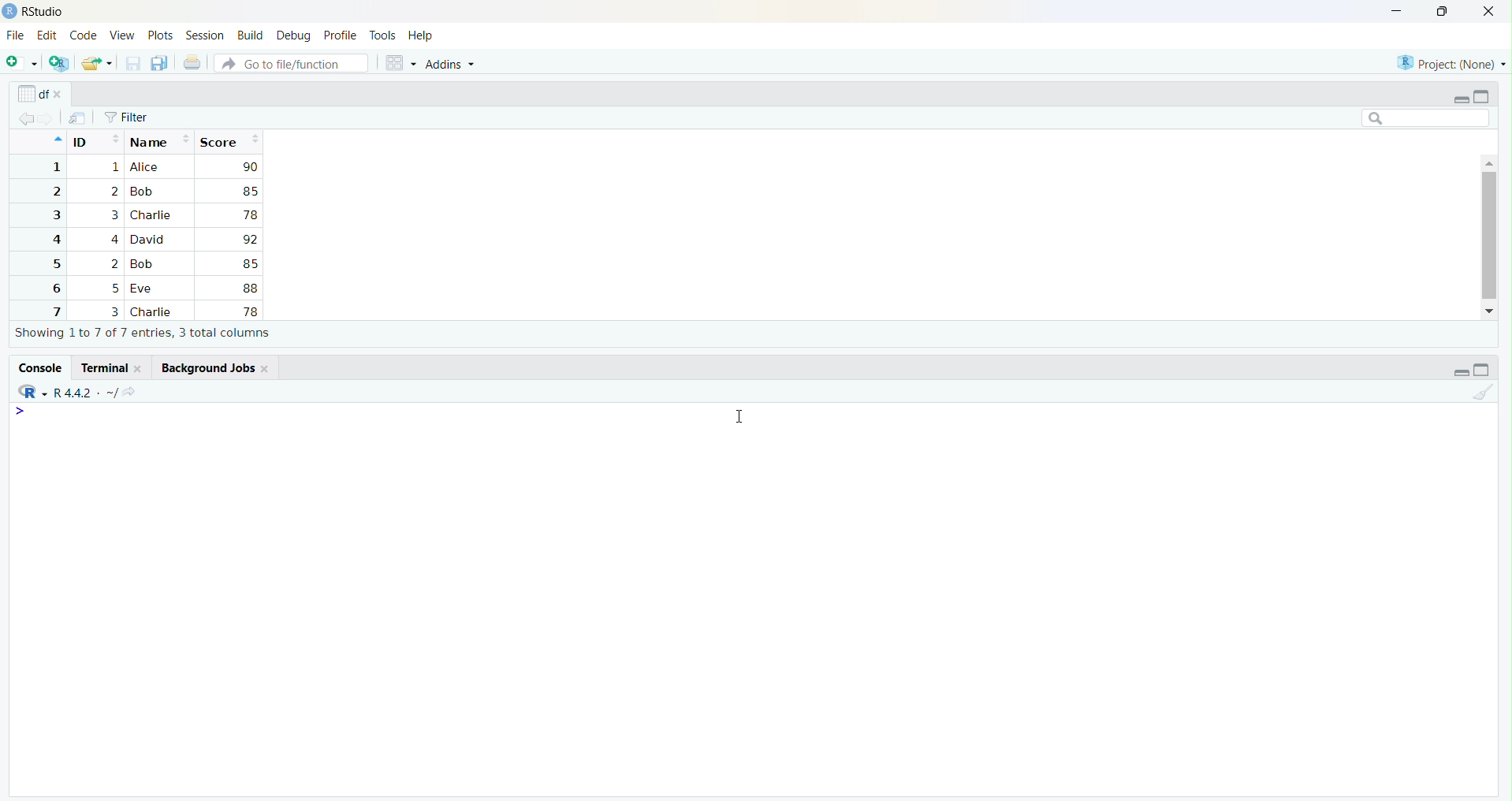 The width and height of the screenshot is (1512, 801). Describe the element at coordinates (1491, 311) in the screenshot. I see `scroll down` at that location.